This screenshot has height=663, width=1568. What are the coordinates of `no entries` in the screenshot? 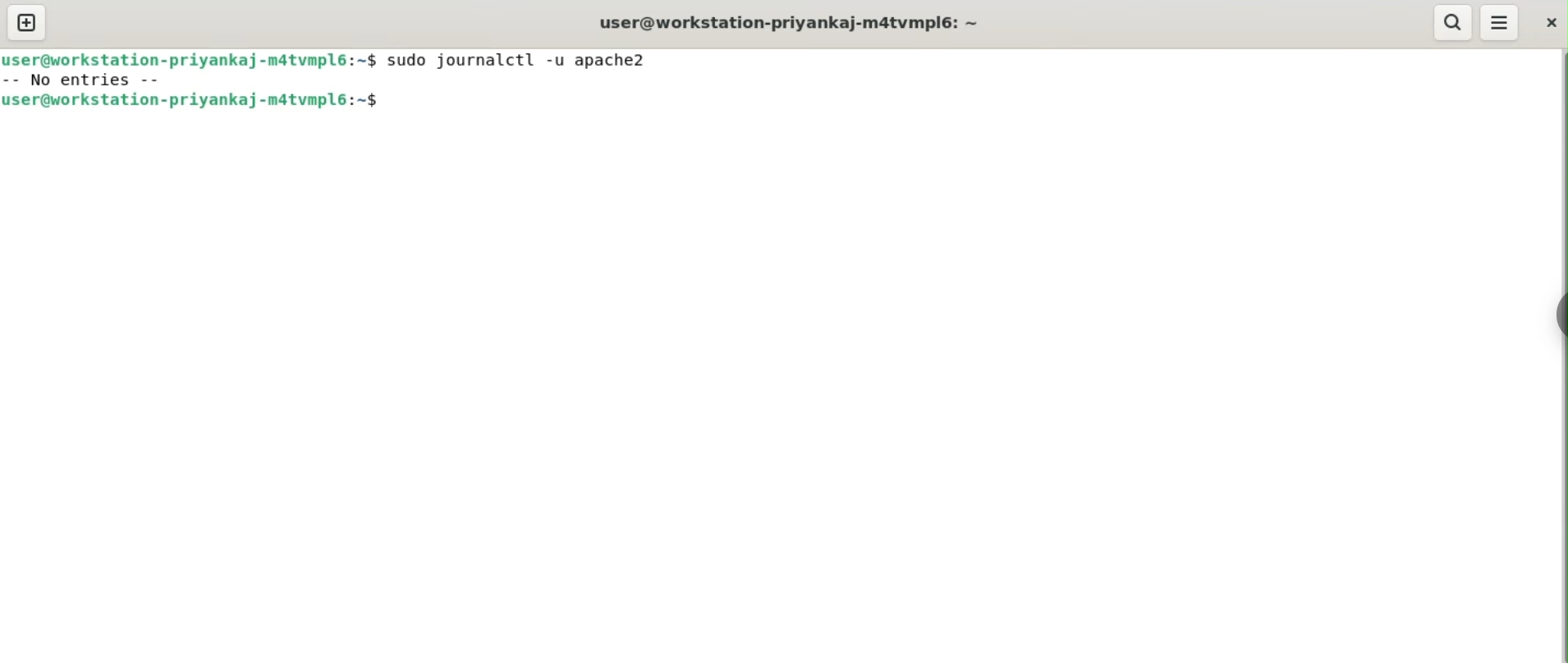 It's located at (92, 80).